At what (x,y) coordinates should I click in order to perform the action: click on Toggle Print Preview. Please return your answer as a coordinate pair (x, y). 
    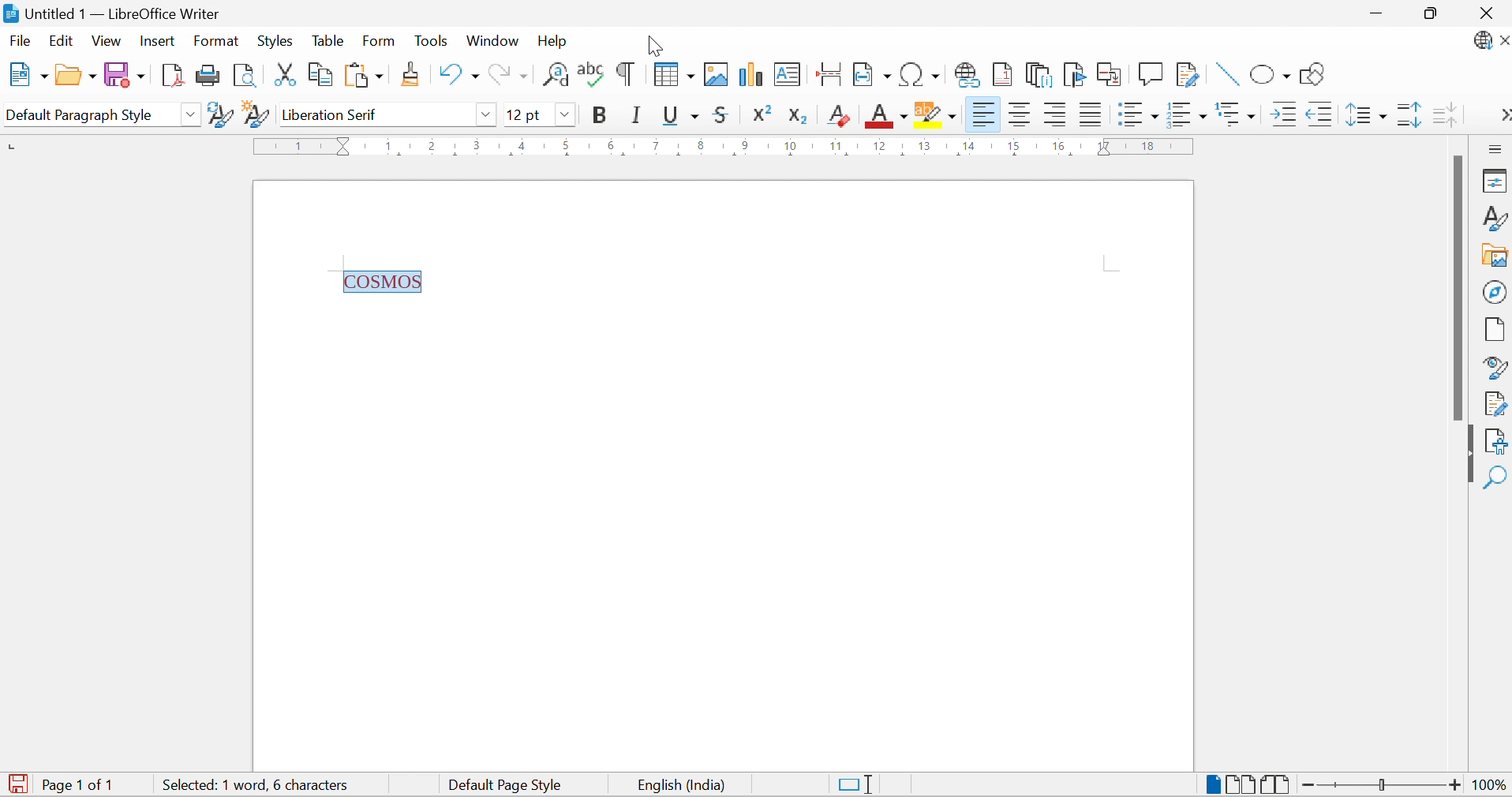
    Looking at the image, I should click on (243, 75).